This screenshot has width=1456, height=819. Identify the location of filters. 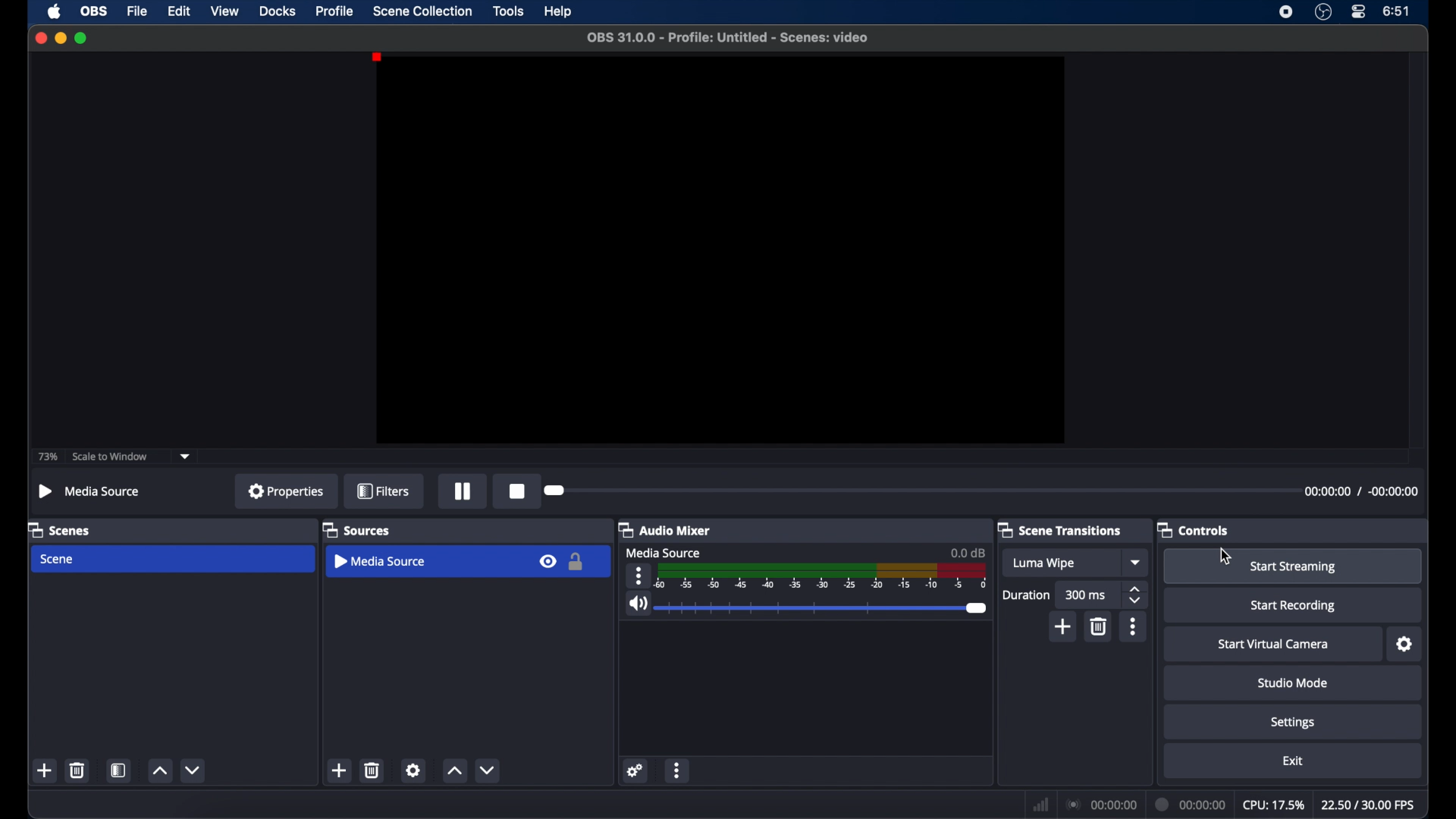
(385, 492).